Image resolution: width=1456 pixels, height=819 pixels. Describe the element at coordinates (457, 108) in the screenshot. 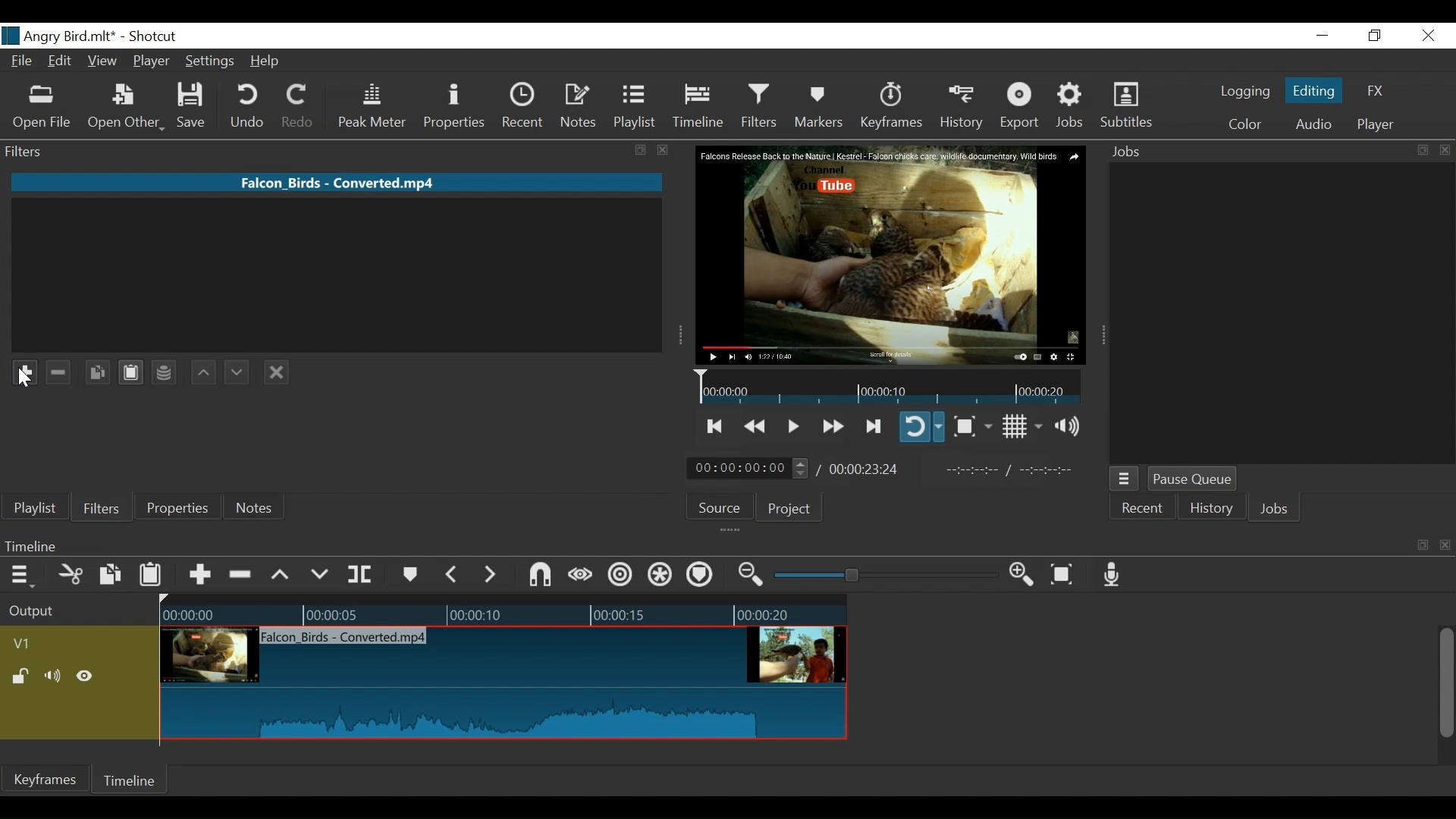

I see `Properties` at that location.